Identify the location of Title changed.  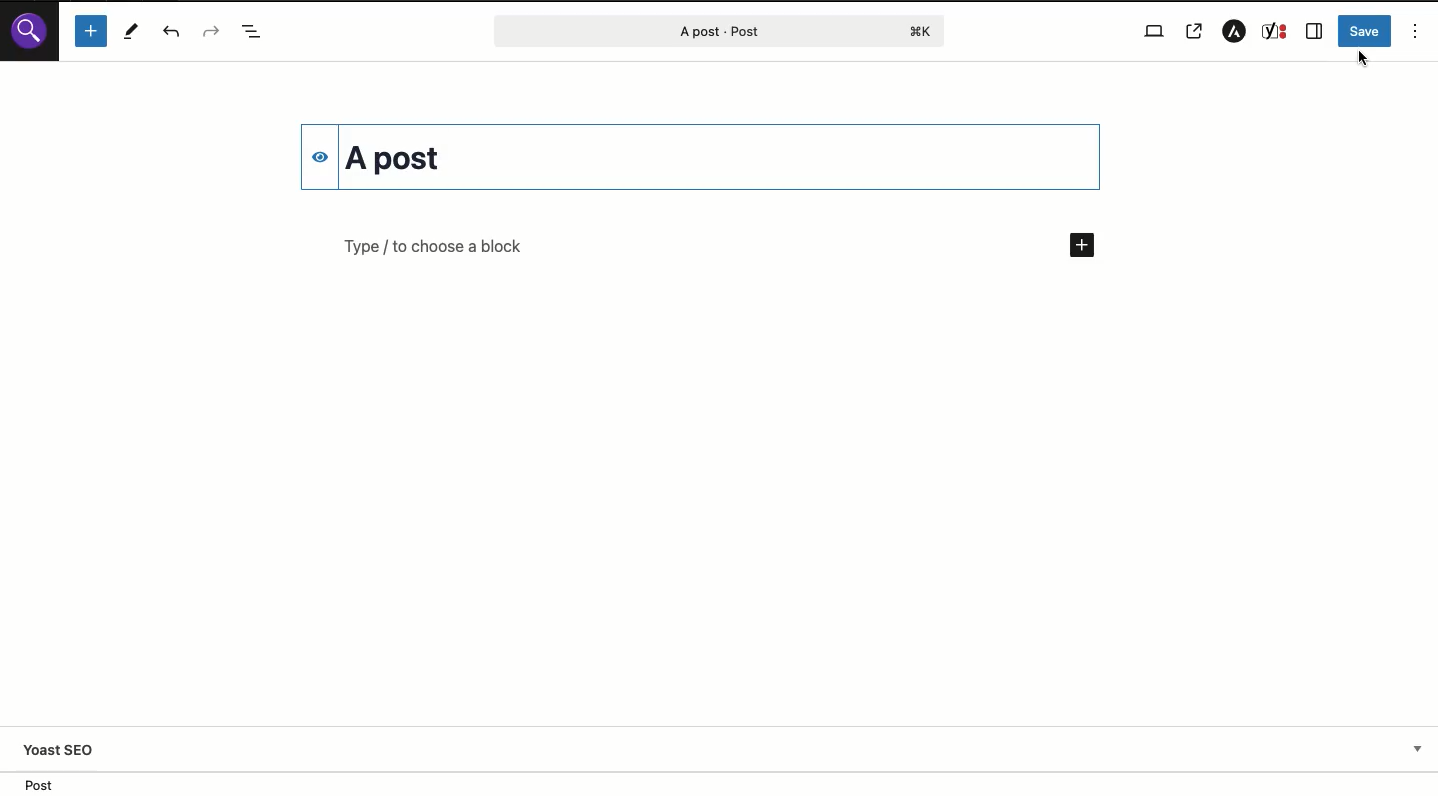
(403, 162).